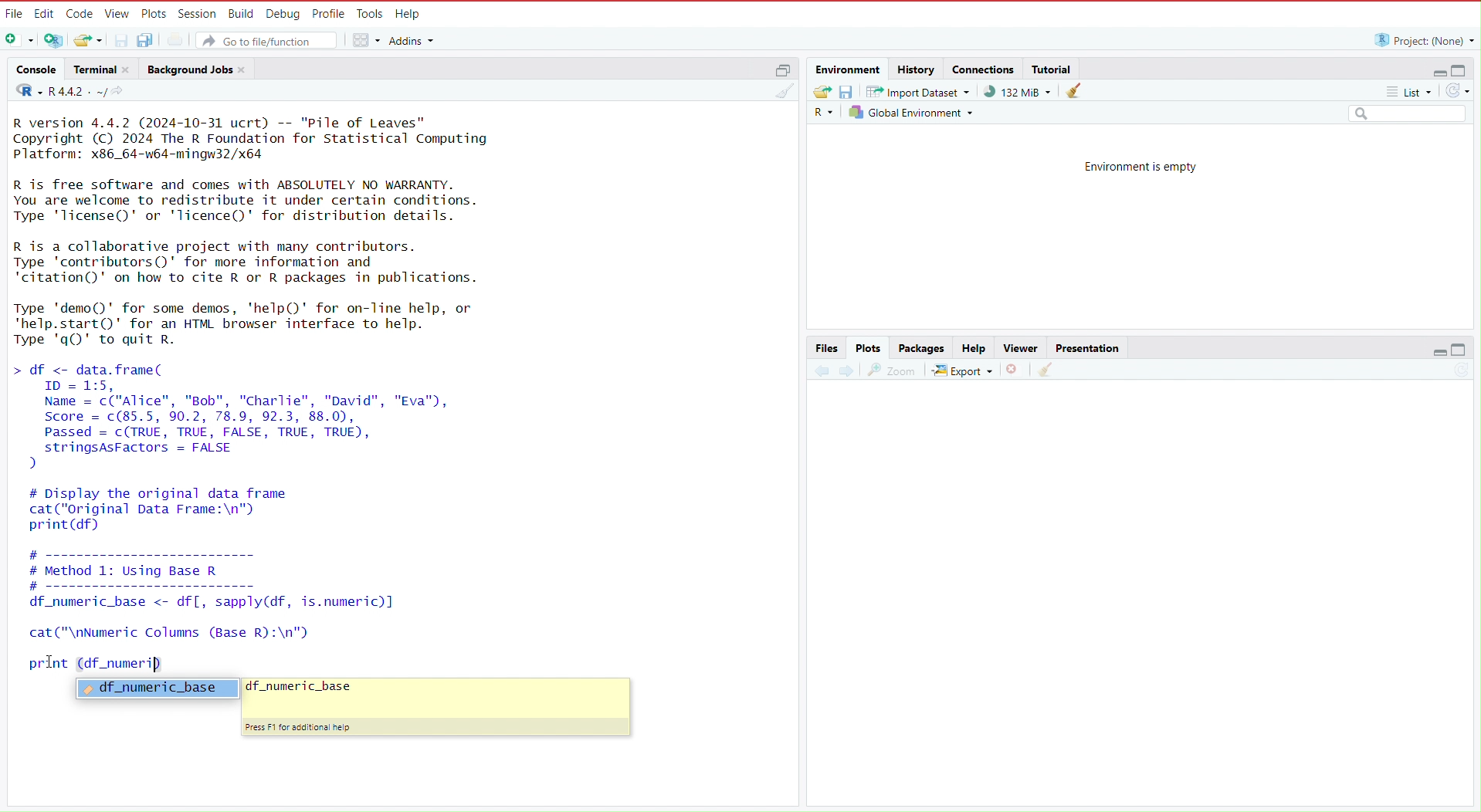 The image size is (1481, 812). What do you see at coordinates (92, 67) in the screenshot?
I see `Terminal` at bounding box center [92, 67].